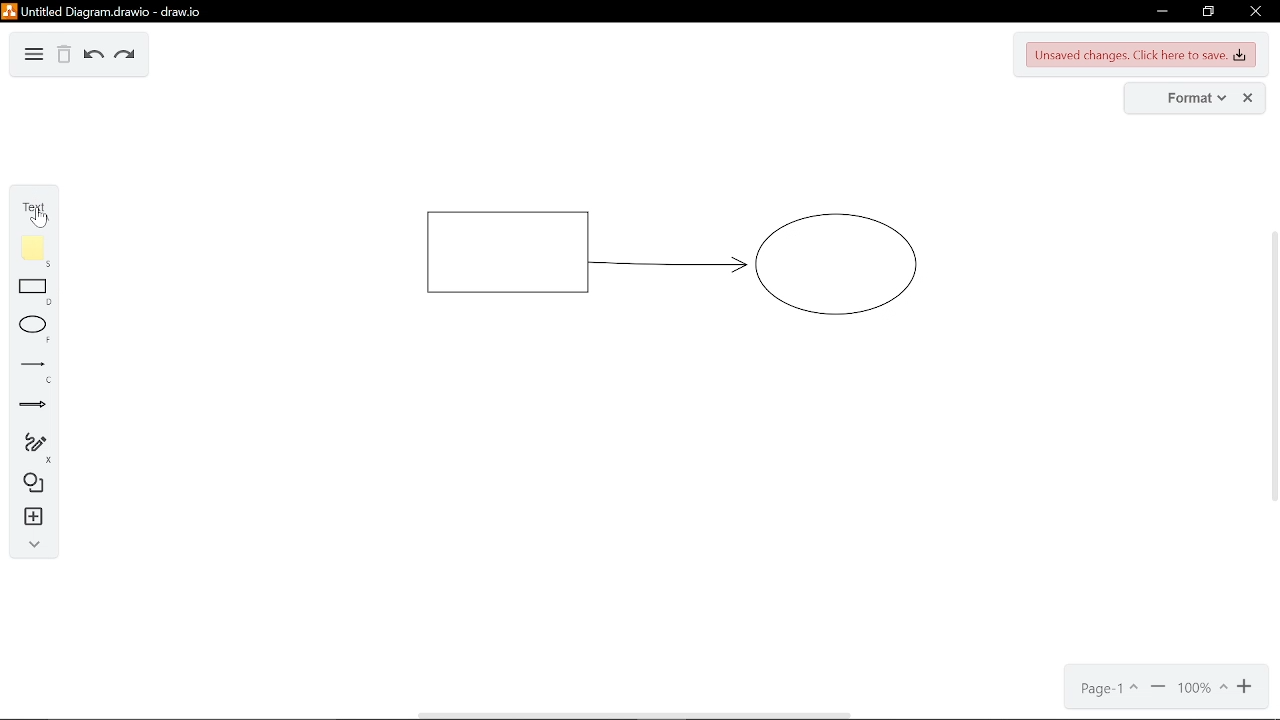  I want to click on 100%, so click(1201, 688).